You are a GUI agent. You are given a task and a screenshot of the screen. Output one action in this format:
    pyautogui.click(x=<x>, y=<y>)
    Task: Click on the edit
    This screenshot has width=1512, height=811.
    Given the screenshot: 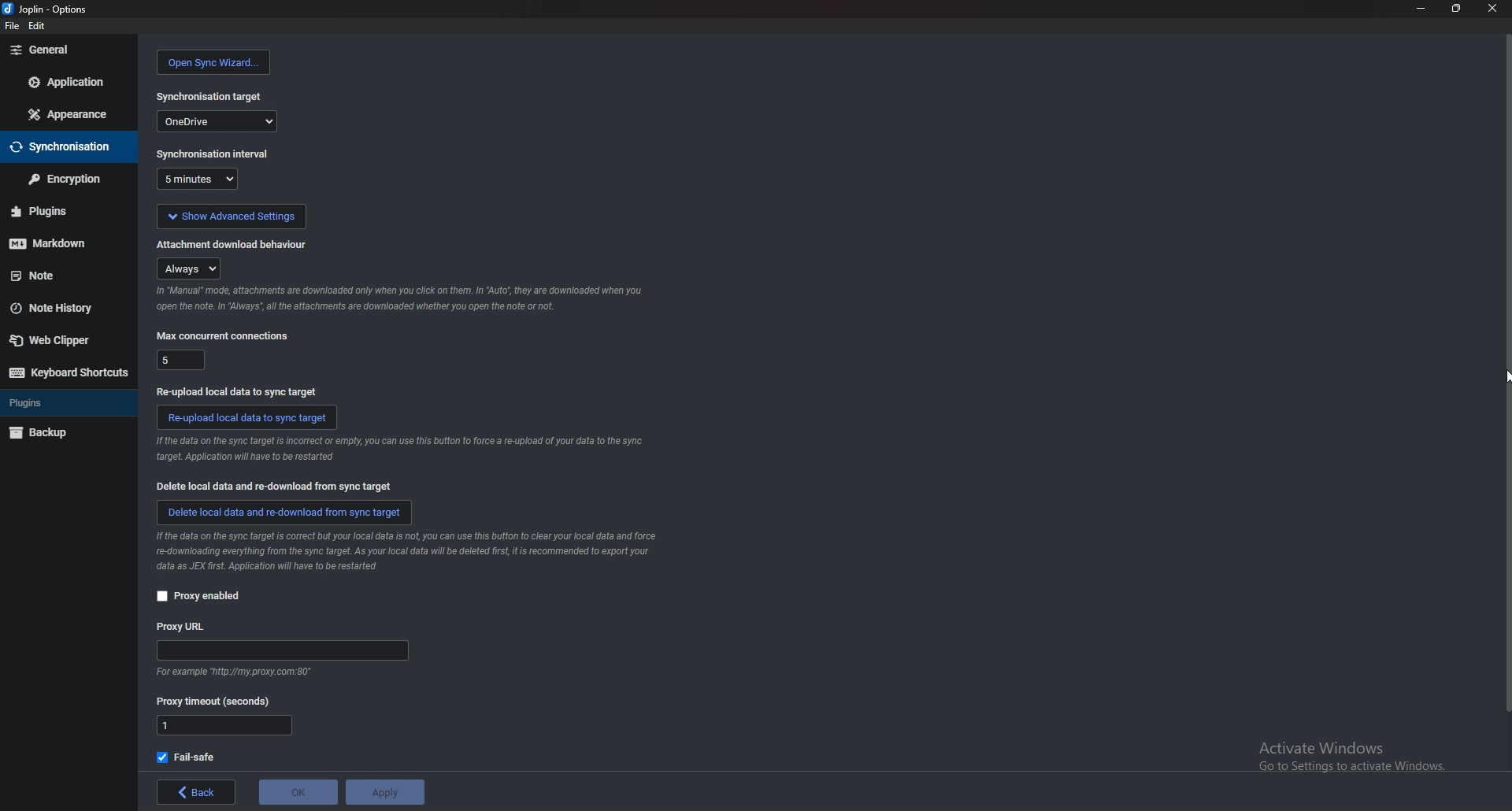 What is the action you would take?
    pyautogui.click(x=39, y=27)
    